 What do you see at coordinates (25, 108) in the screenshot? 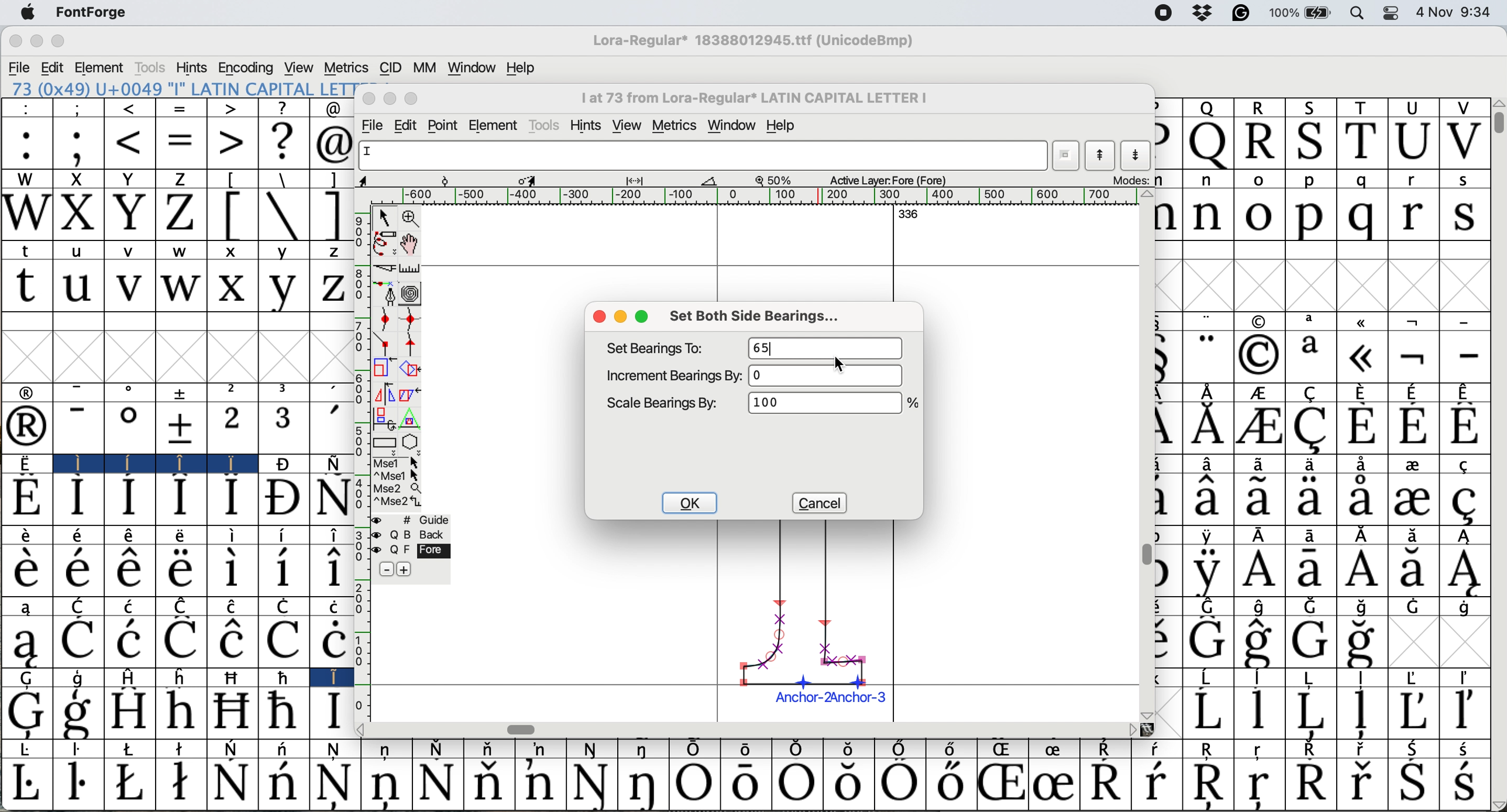
I see `:` at bounding box center [25, 108].